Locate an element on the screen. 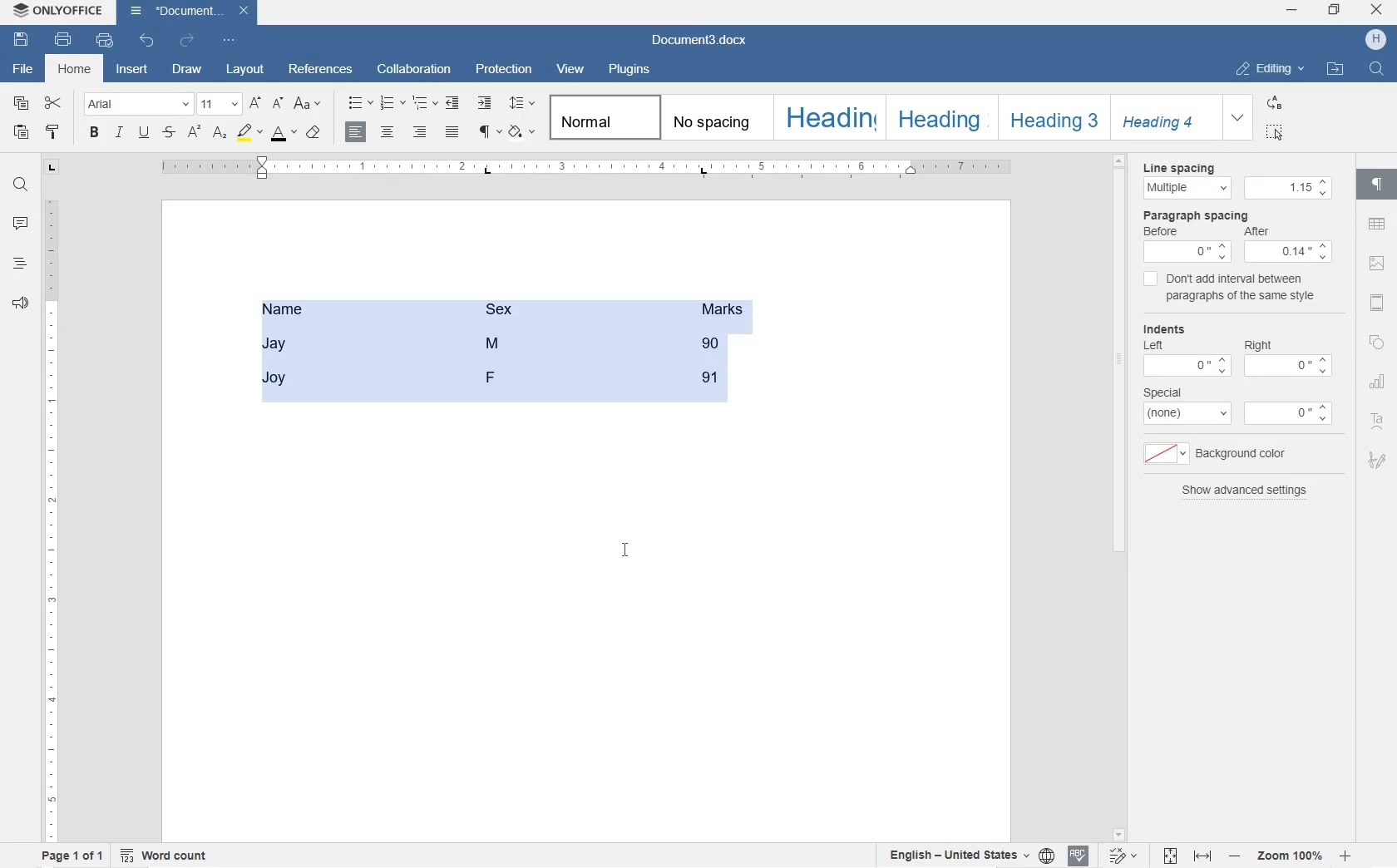 The image size is (1397, 868). LAYOUT is located at coordinates (243, 70).